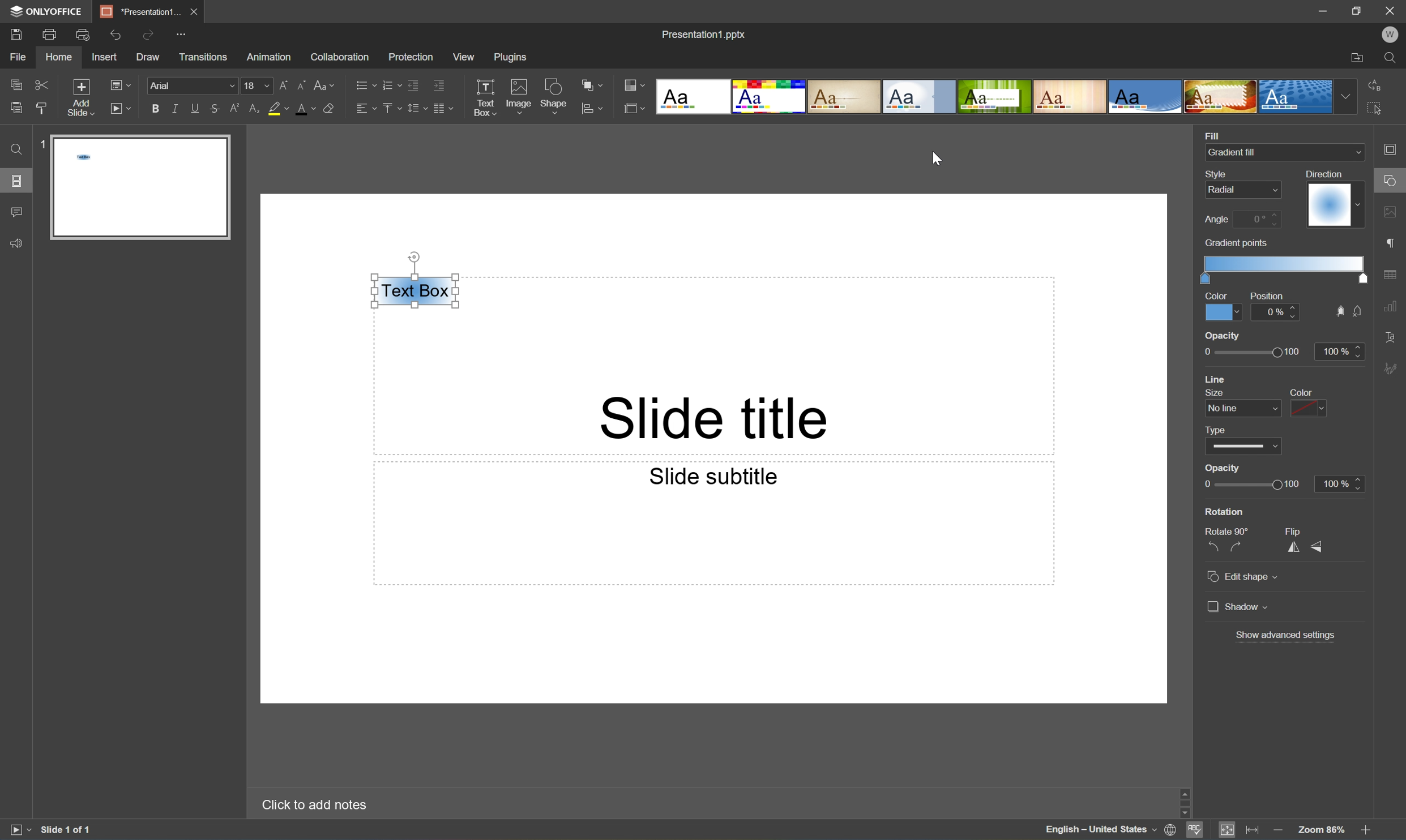 This screenshot has height=840, width=1406. What do you see at coordinates (1370, 791) in the screenshot?
I see `Scroll Up` at bounding box center [1370, 791].